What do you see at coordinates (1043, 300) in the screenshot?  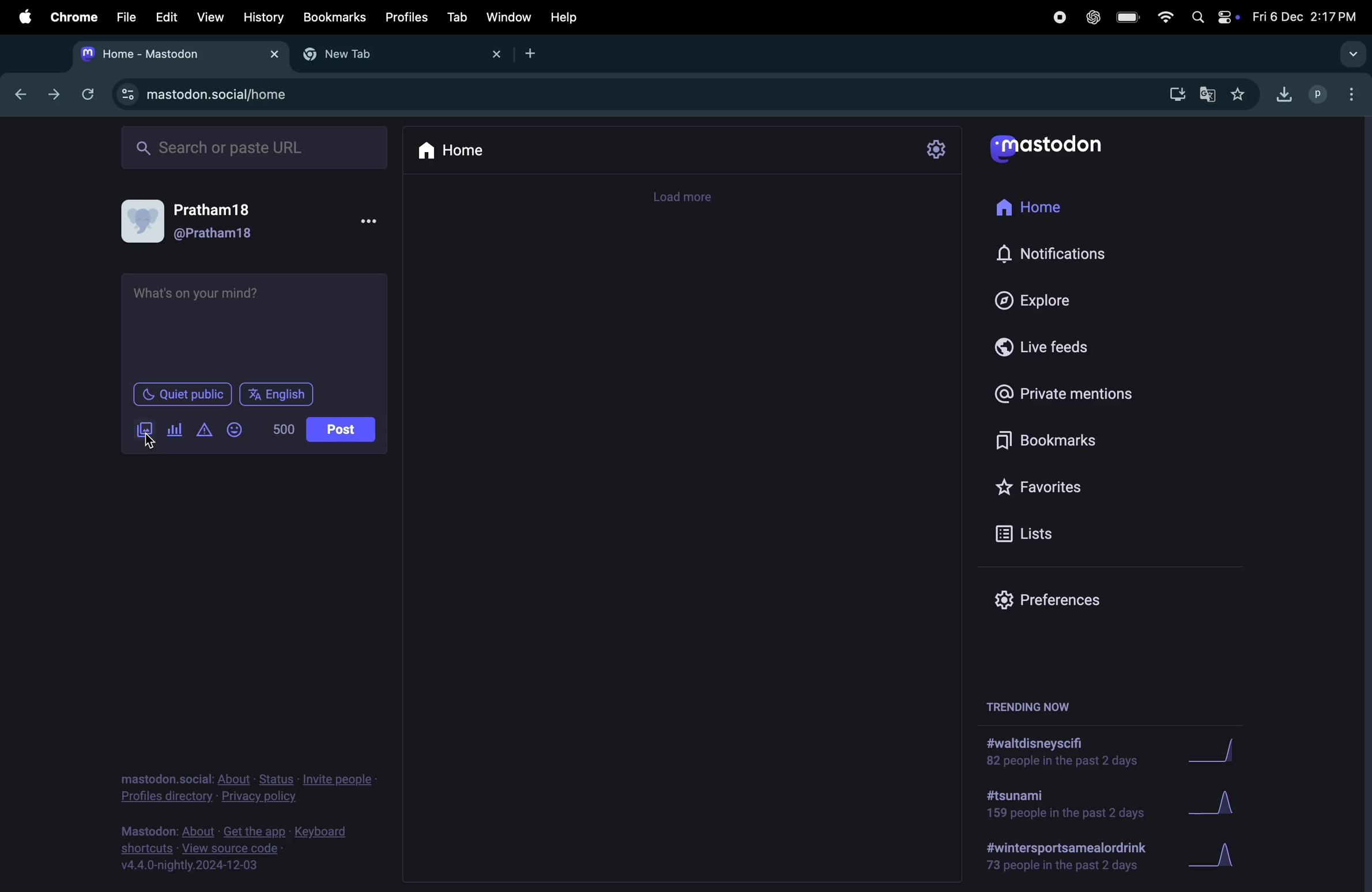 I see `explore` at bounding box center [1043, 300].